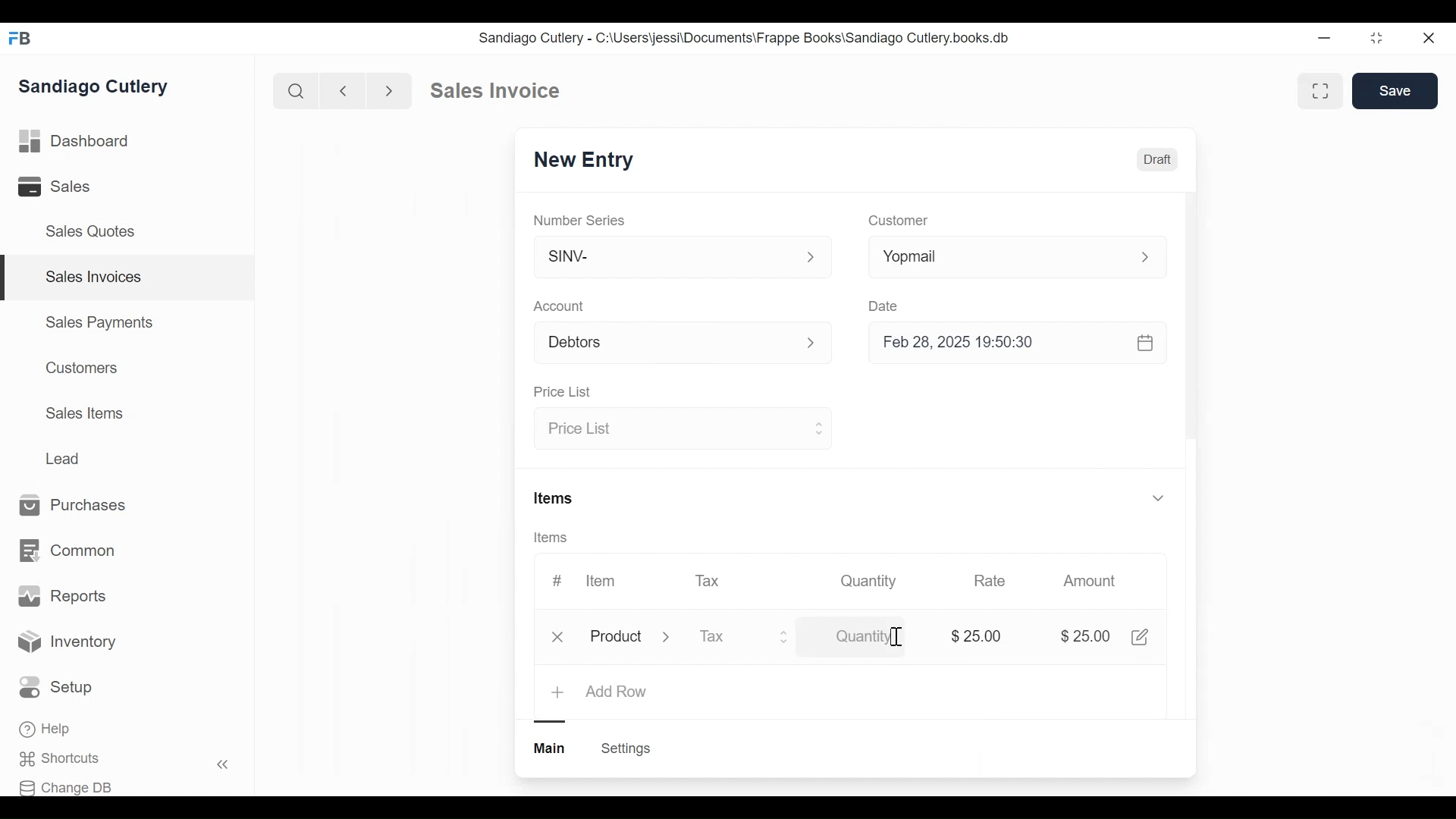 This screenshot has width=1456, height=819. What do you see at coordinates (1395, 91) in the screenshot?
I see `Save ` at bounding box center [1395, 91].